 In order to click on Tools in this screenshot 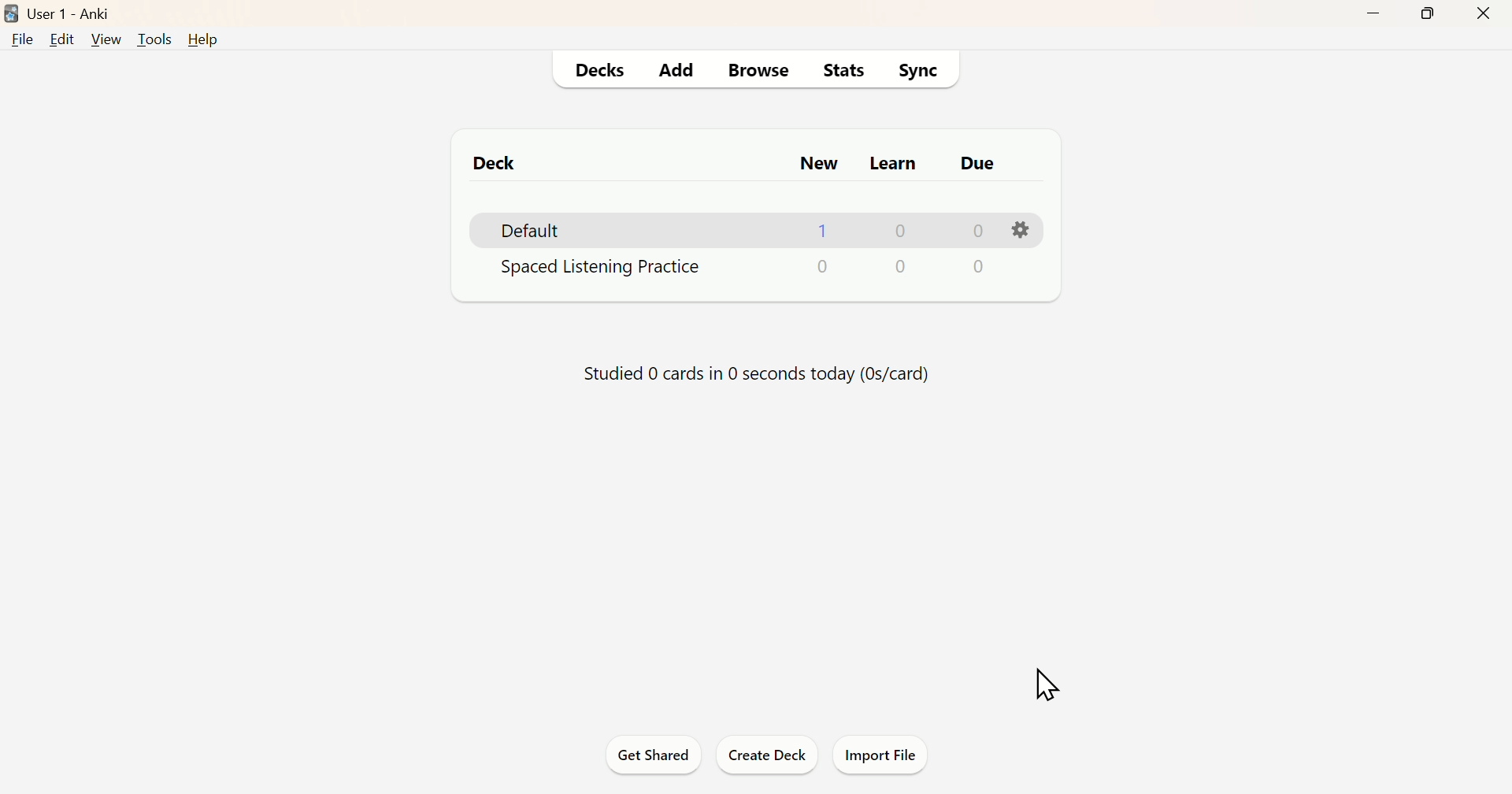, I will do `click(153, 40)`.